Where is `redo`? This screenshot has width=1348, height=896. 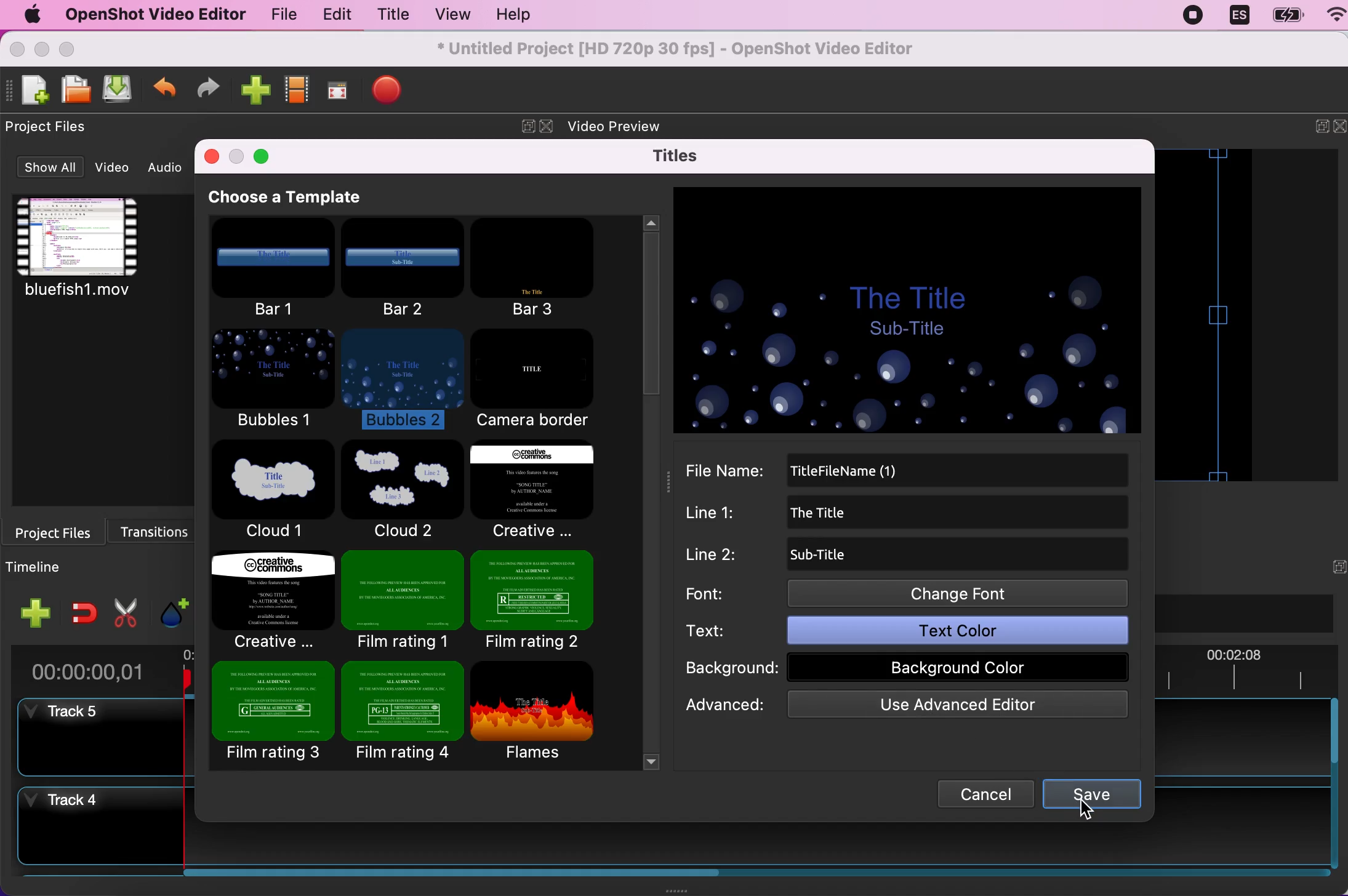
redo is located at coordinates (208, 90).